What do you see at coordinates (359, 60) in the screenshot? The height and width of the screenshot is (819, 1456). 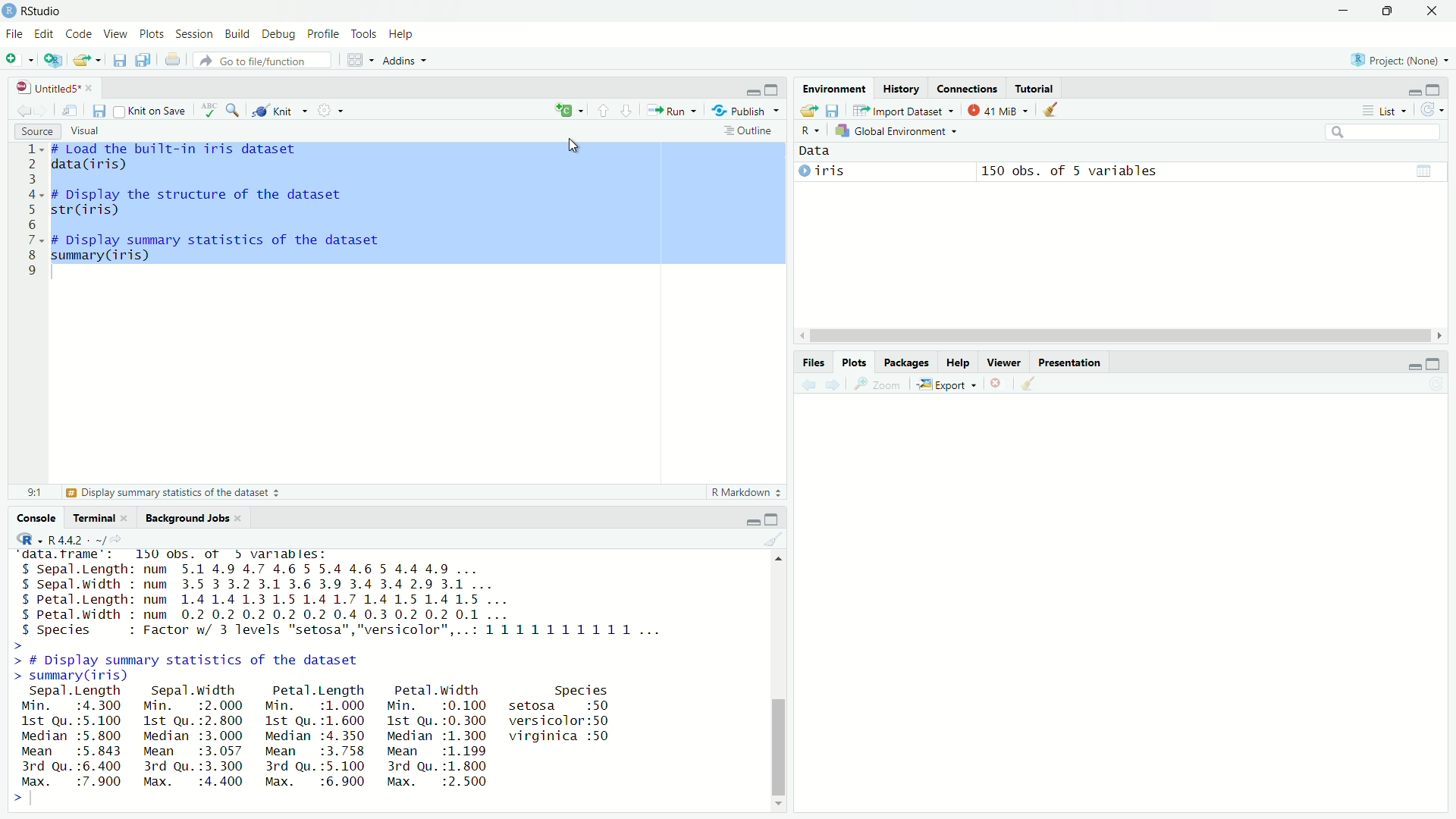 I see `Workspace panes` at bounding box center [359, 60].